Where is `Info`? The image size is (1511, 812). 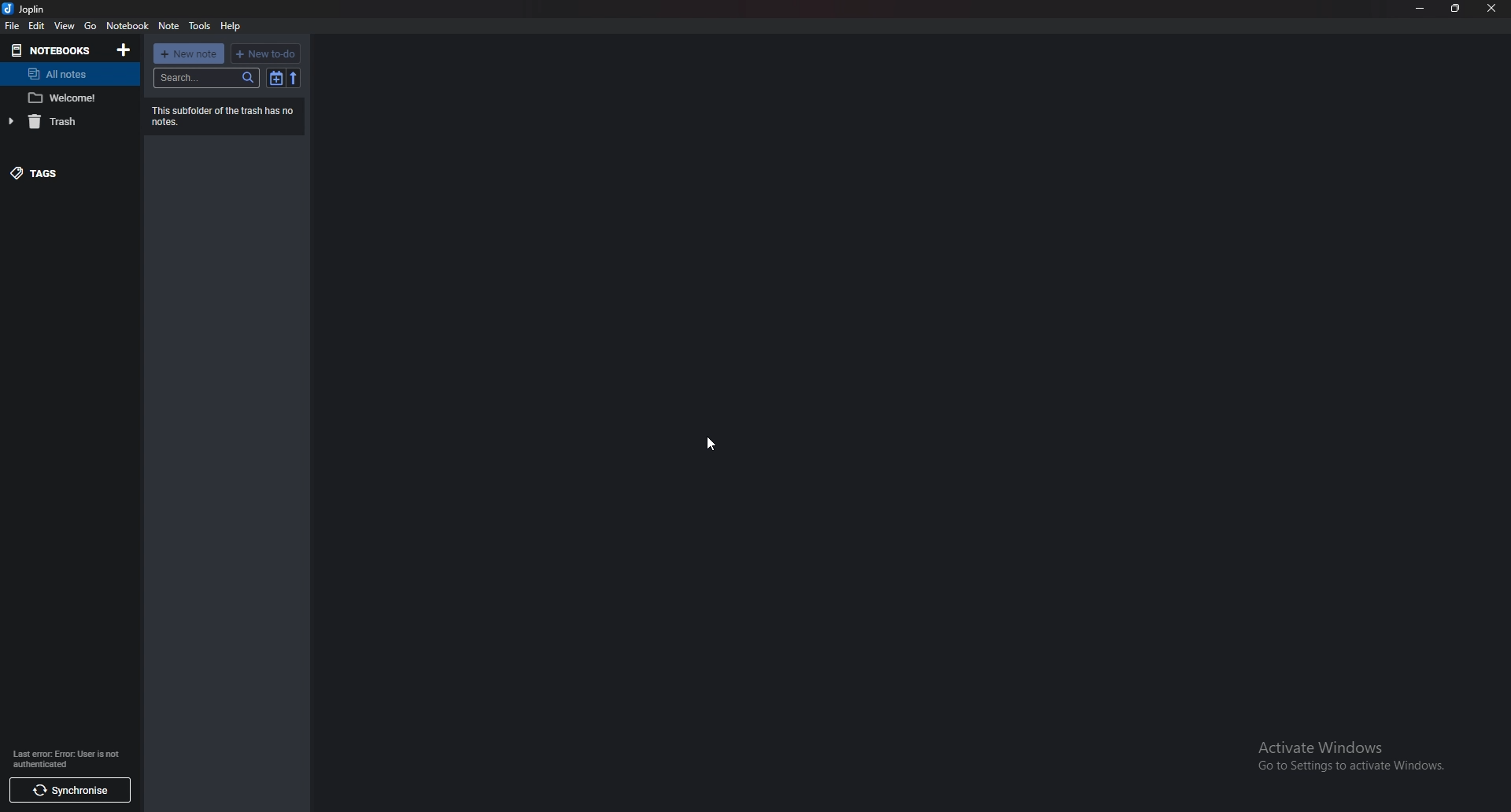 Info is located at coordinates (69, 758).